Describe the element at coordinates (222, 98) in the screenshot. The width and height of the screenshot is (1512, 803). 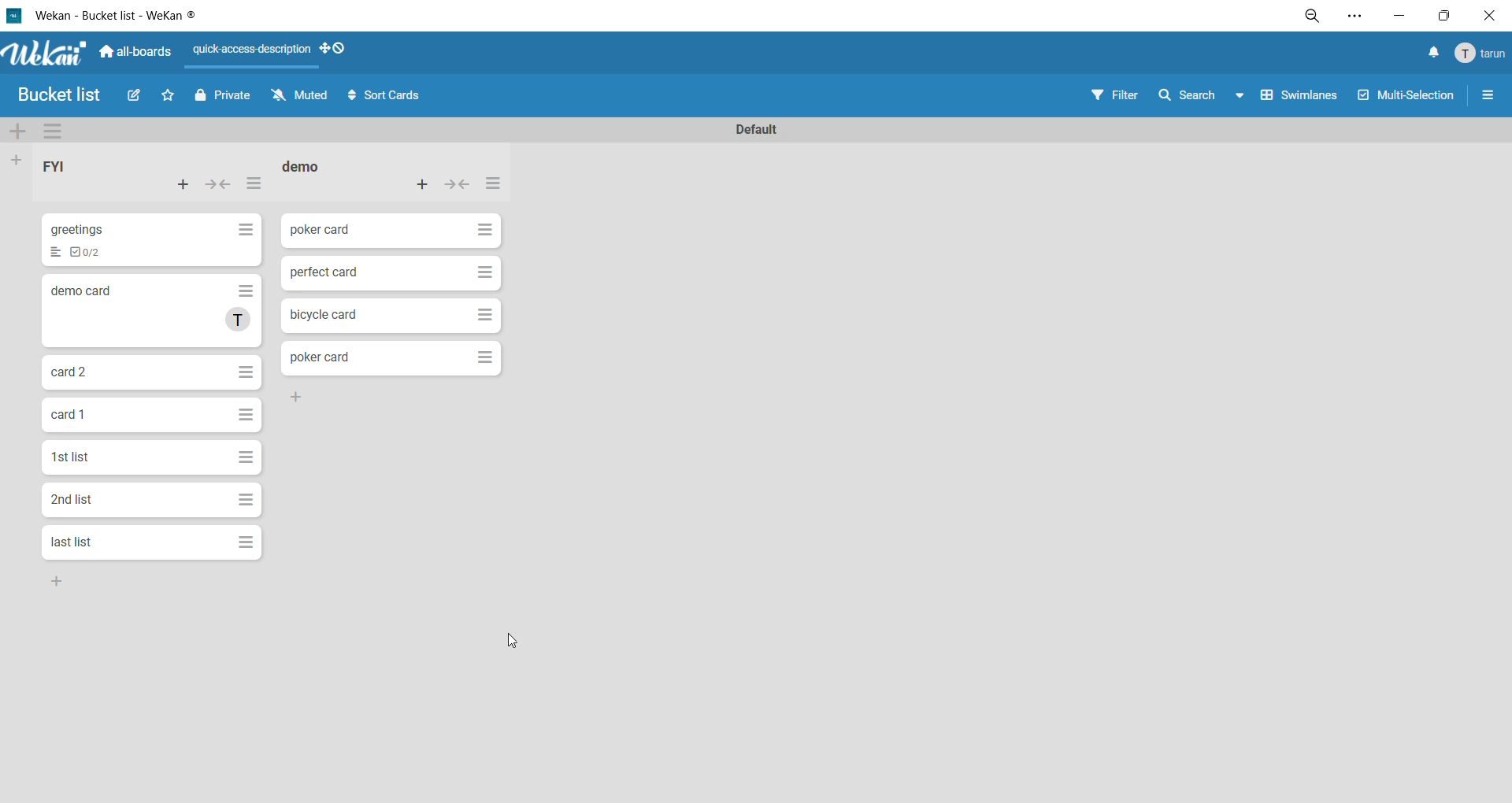
I see `private` at that location.